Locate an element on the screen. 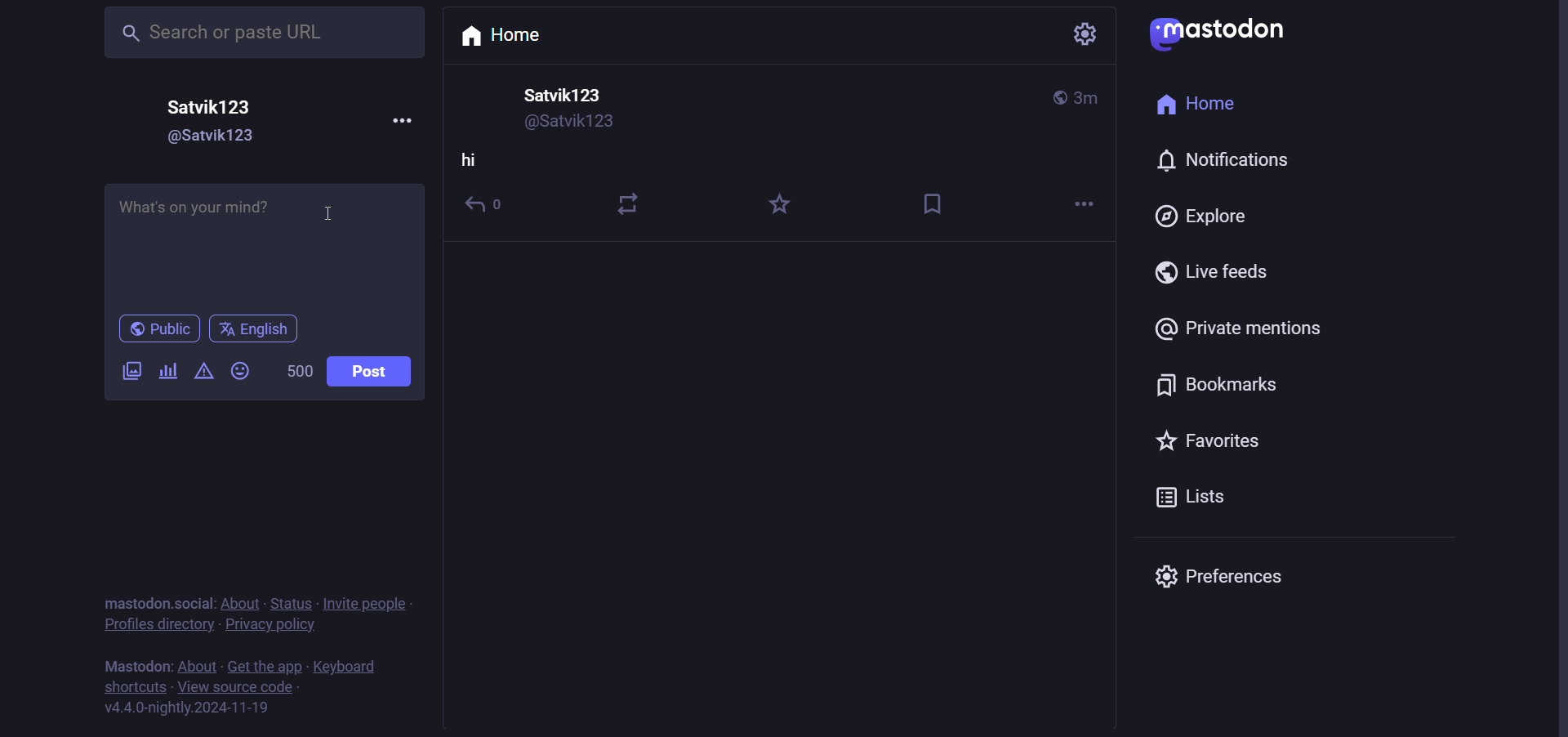 The width and height of the screenshot is (1568, 737). private mention is located at coordinates (1236, 331).